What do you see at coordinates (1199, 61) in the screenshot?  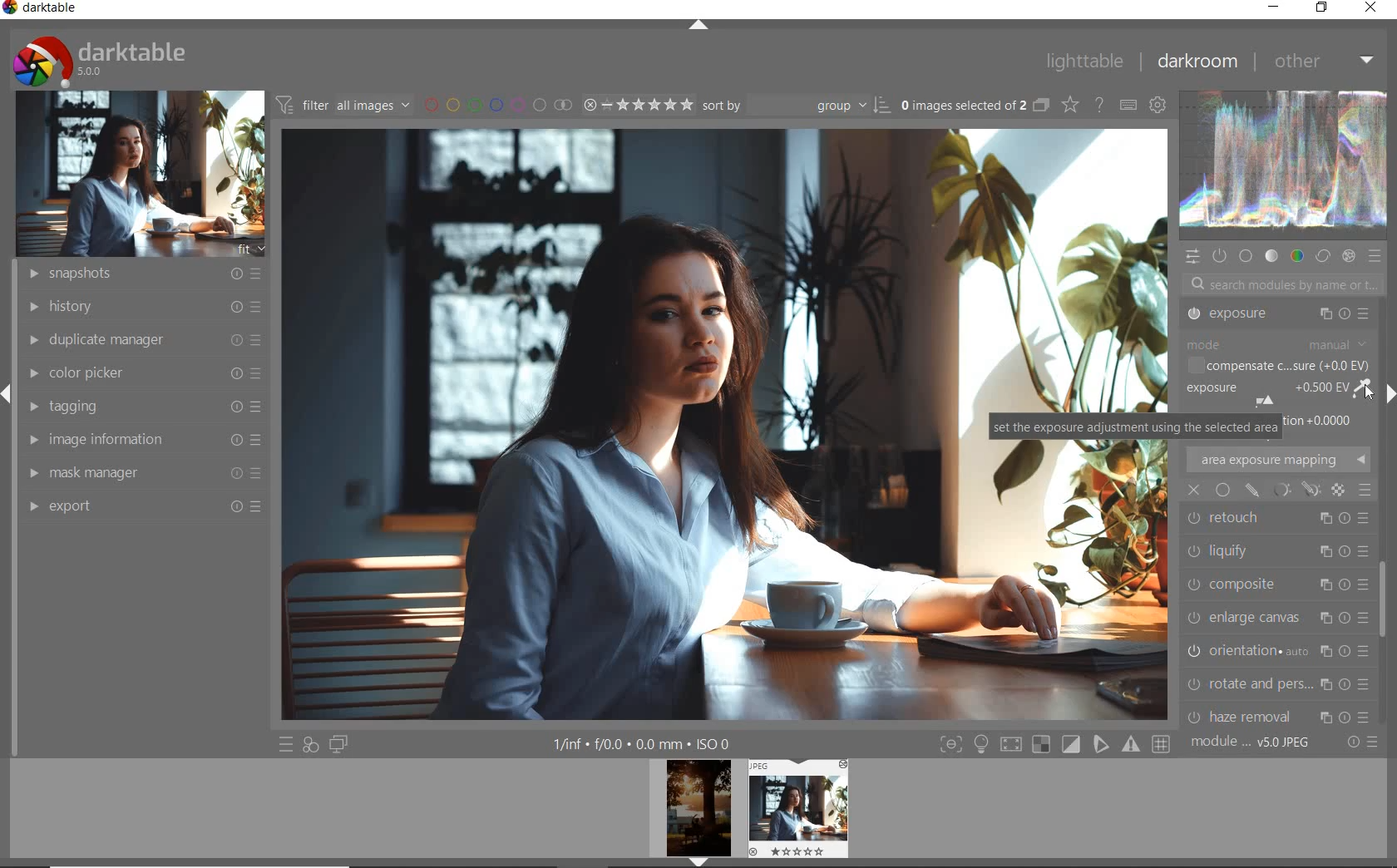 I see `DARKROOM` at bounding box center [1199, 61].